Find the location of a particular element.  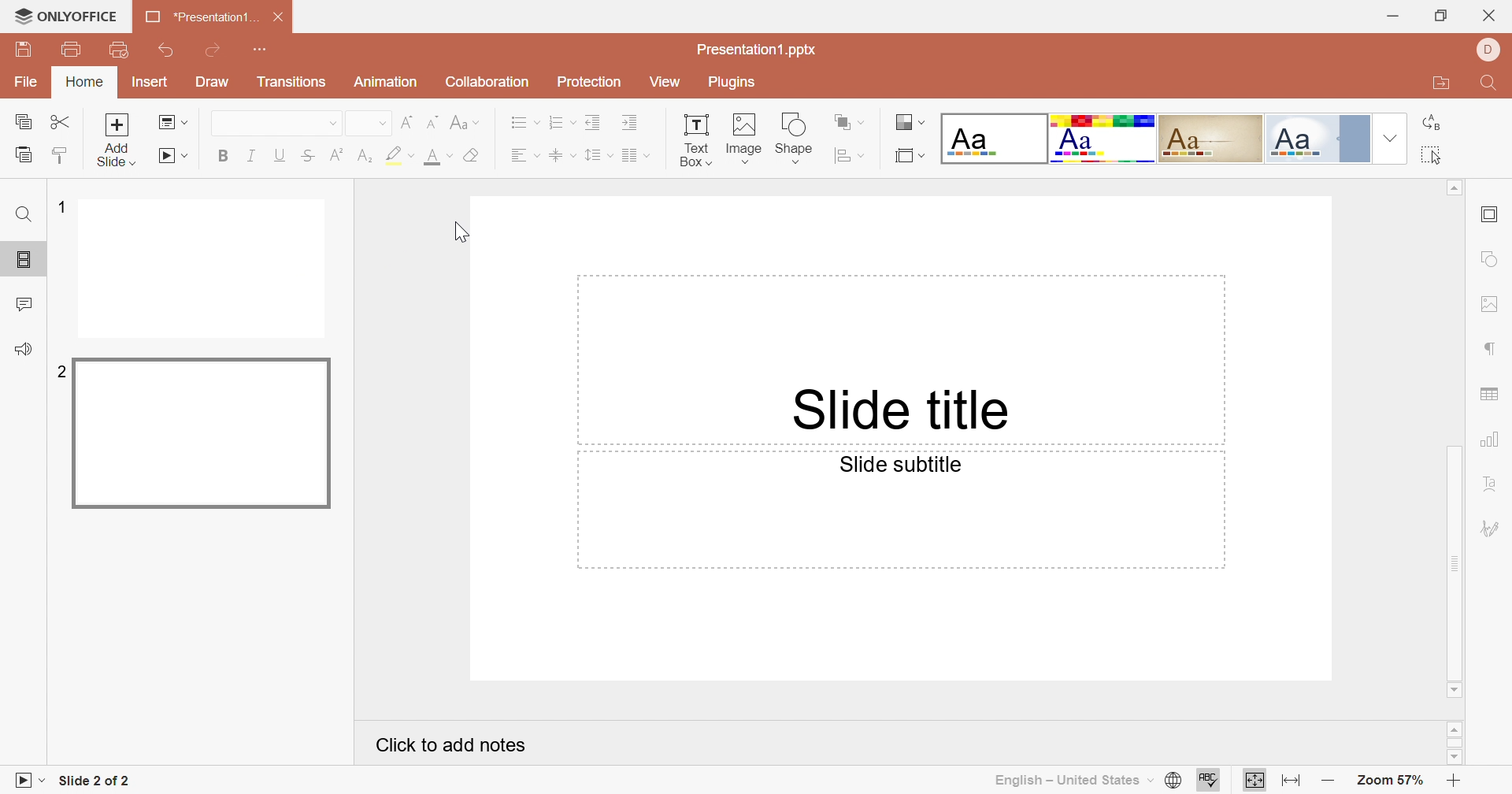

Blank is located at coordinates (995, 136).